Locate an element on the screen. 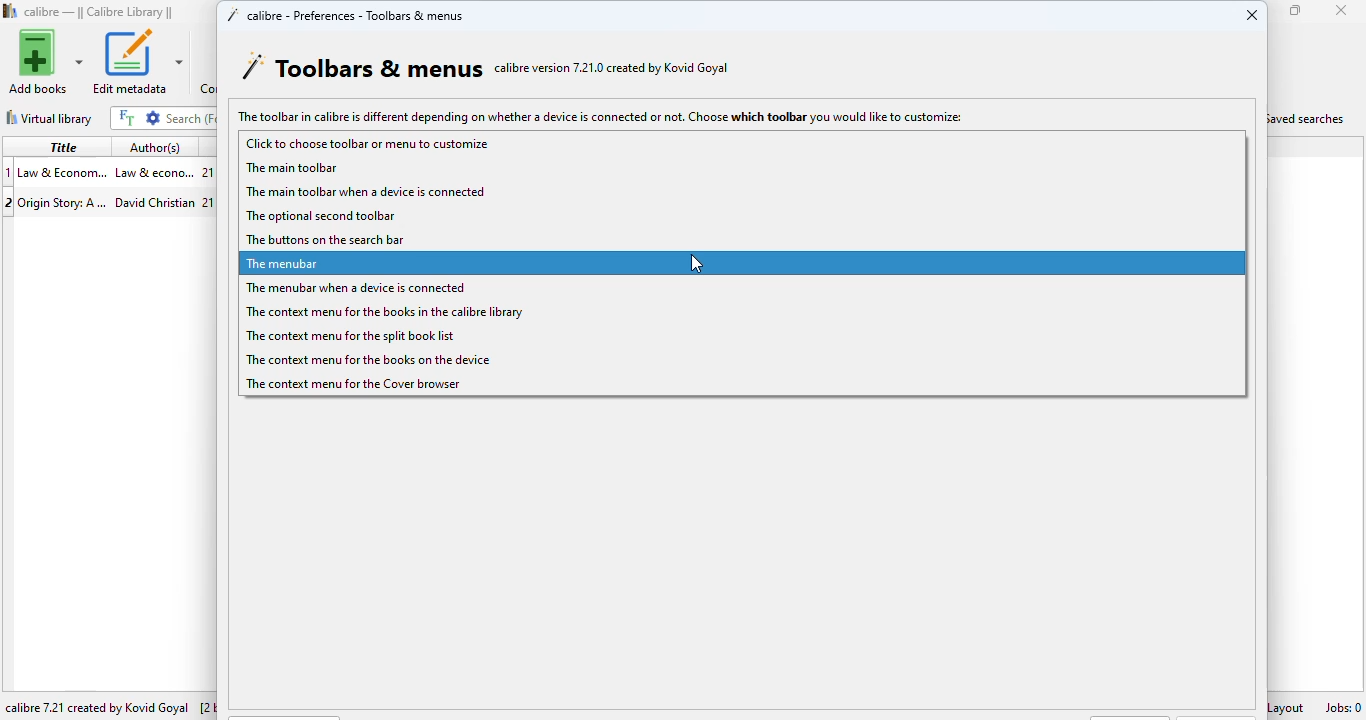 The width and height of the screenshot is (1366, 720). the menubar (selected) is located at coordinates (283, 263).